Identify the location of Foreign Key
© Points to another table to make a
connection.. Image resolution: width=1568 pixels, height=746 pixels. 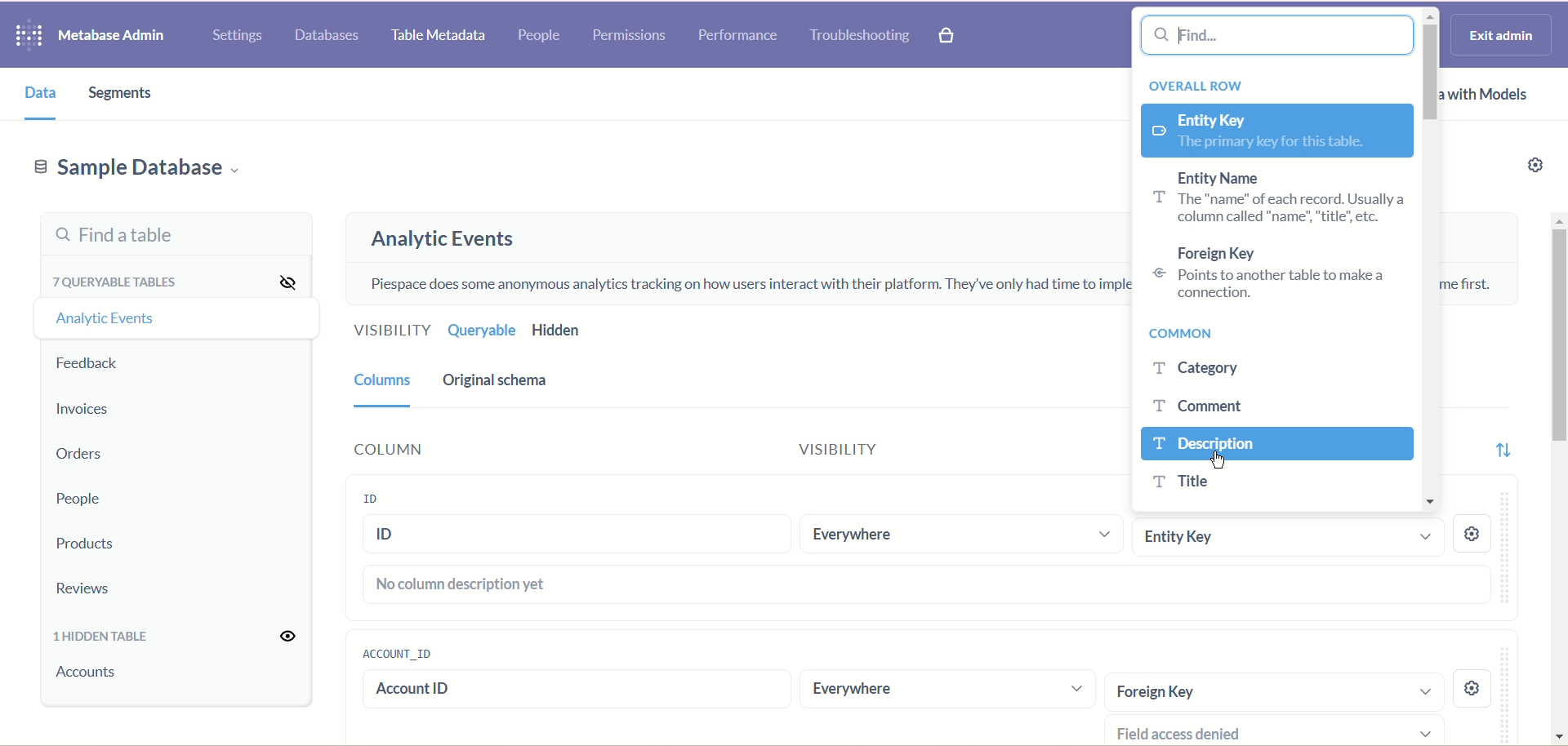
(1263, 274).